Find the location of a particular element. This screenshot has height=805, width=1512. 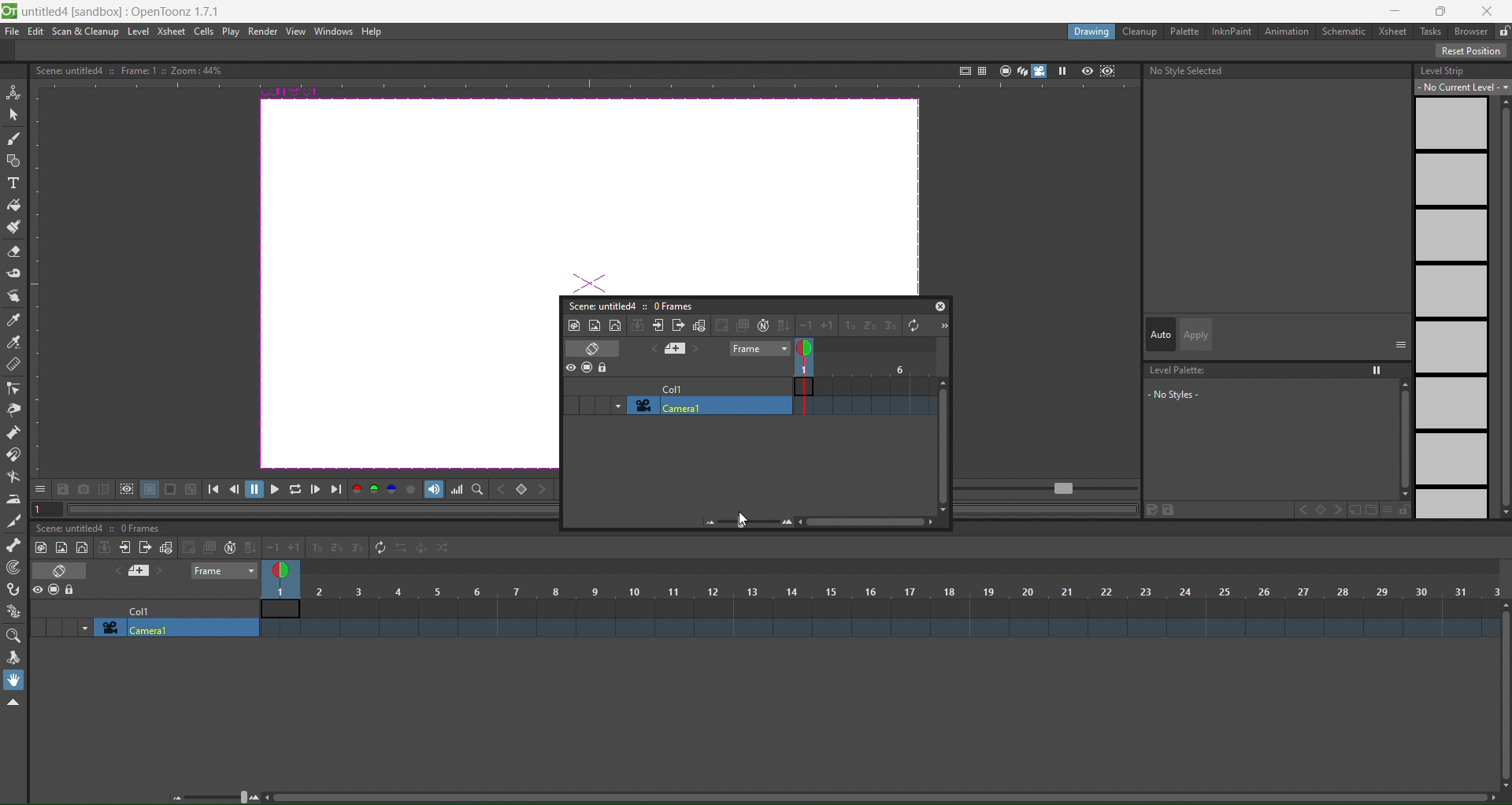

plastic tool is located at coordinates (14, 607).